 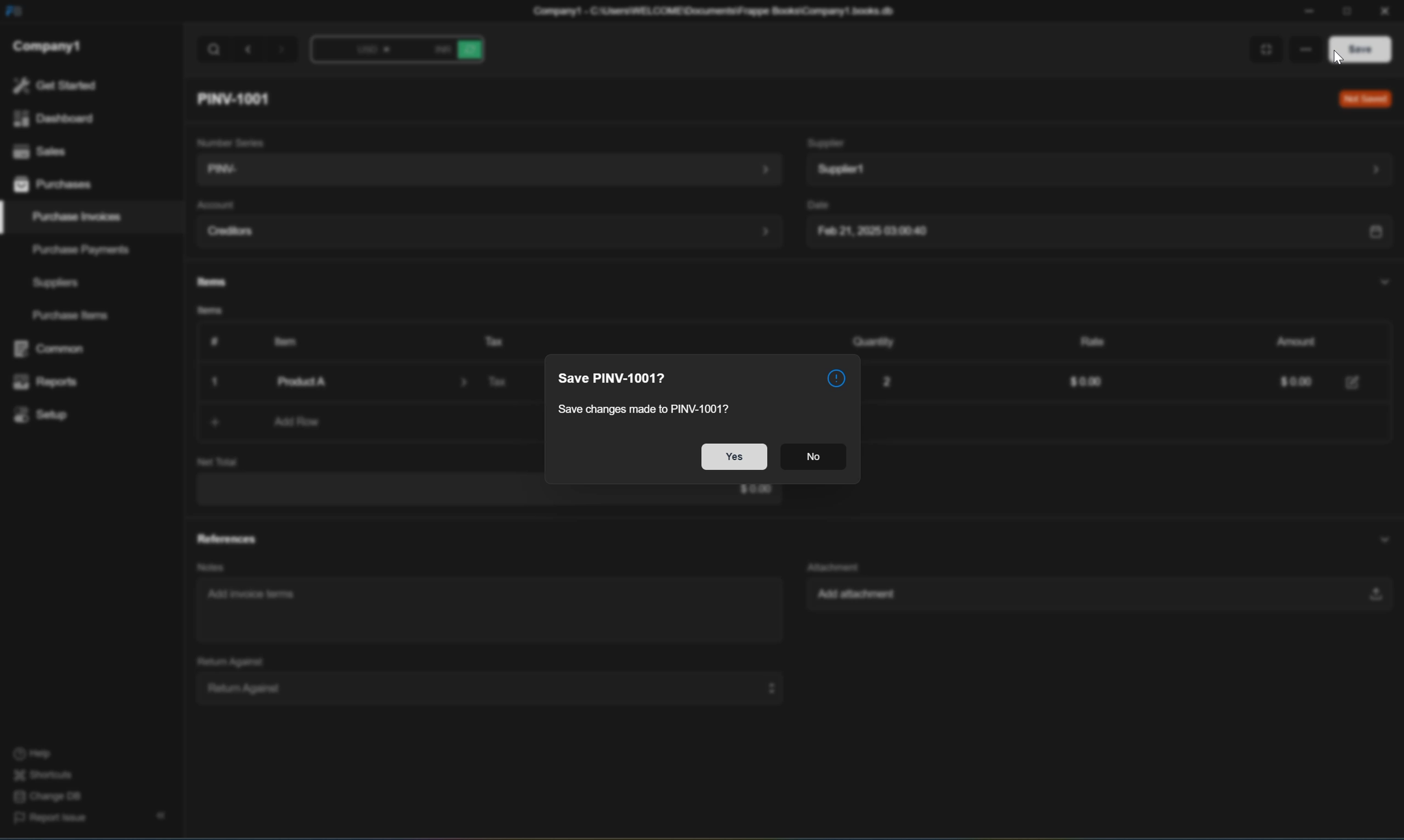 I want to click on sales, so click(x=37, y=149).